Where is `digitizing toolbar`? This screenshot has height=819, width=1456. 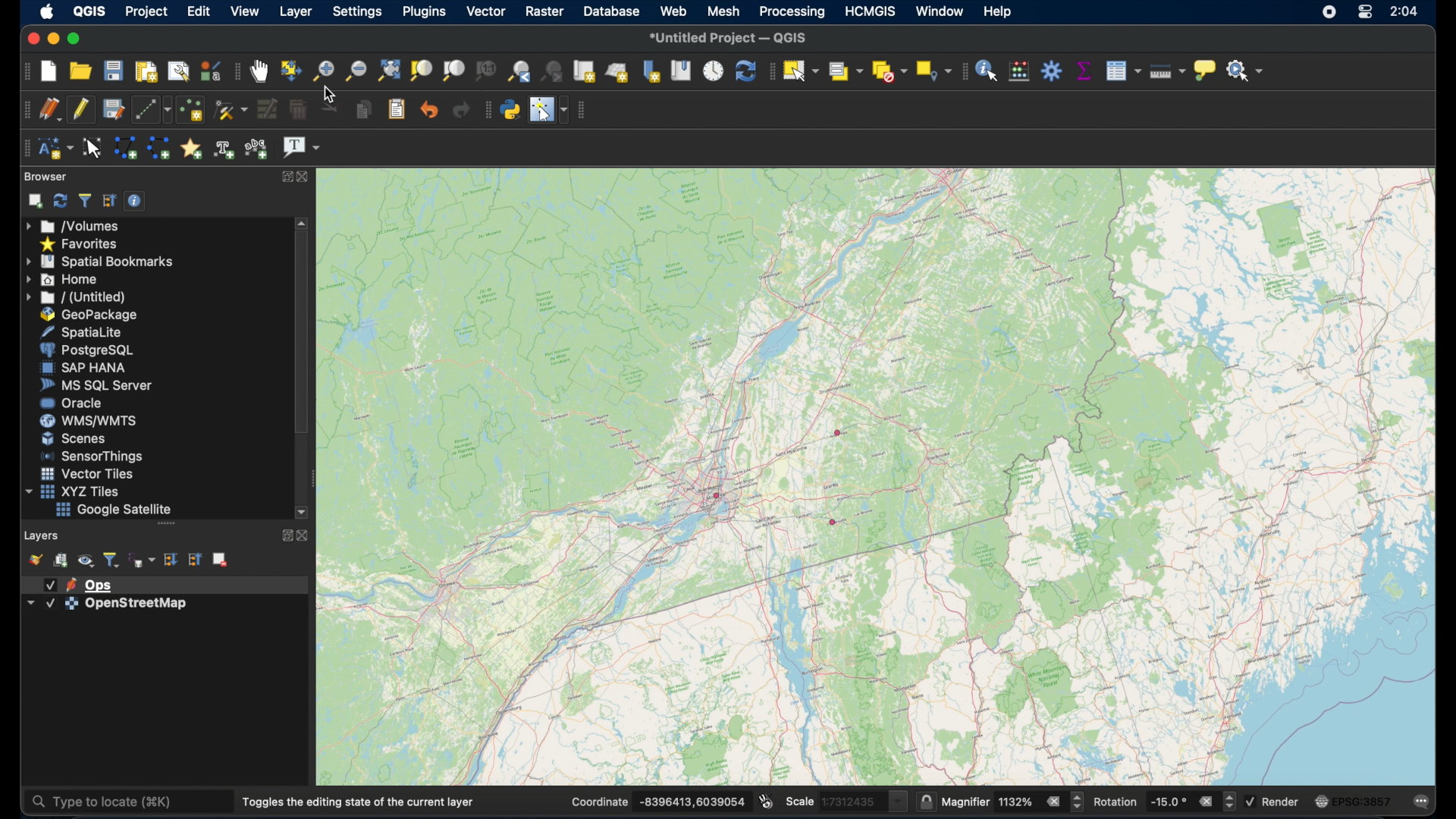
digitizing toolbar is located at coordinates (24, 109).